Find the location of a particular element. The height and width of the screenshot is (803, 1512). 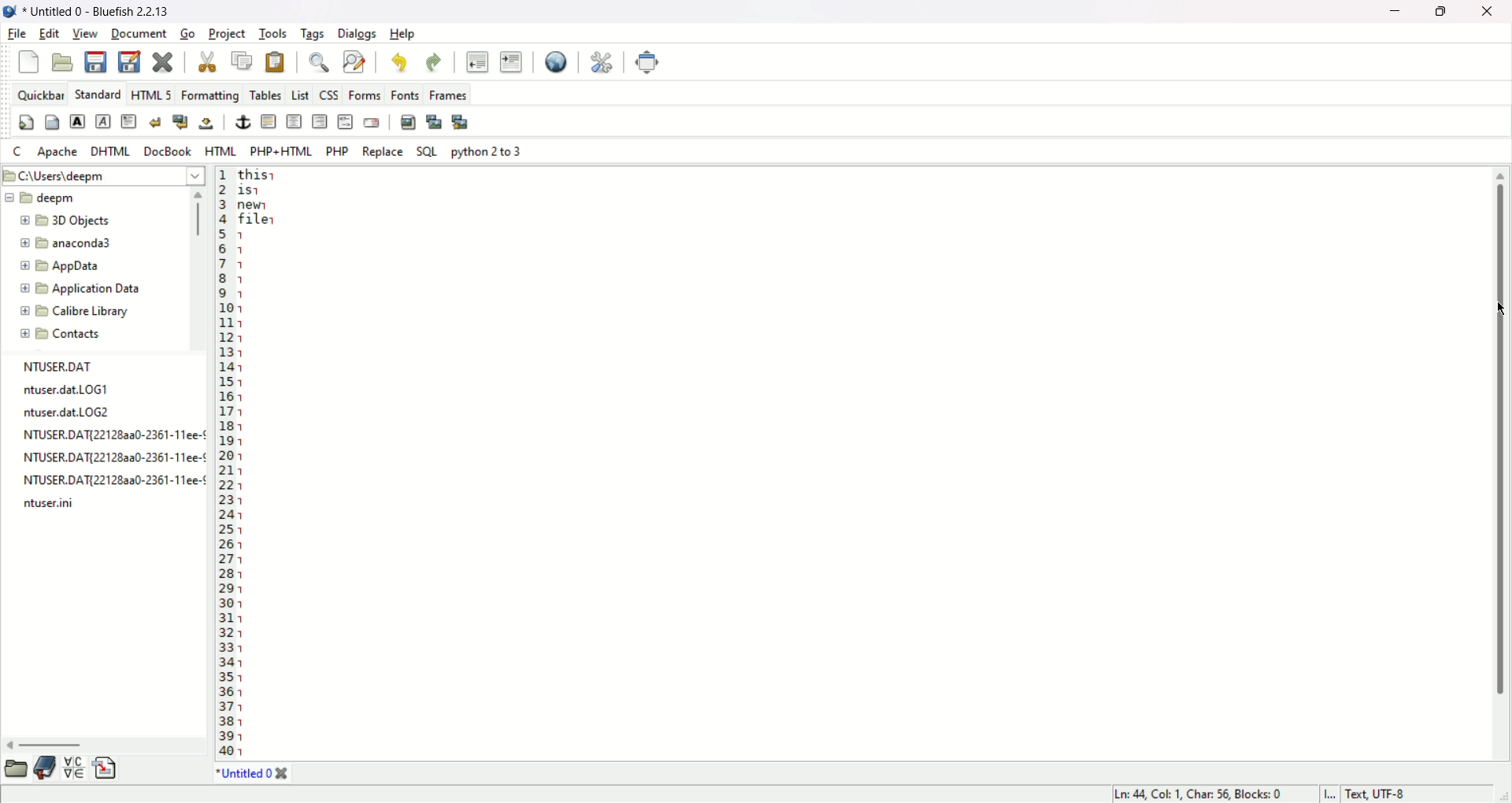

document is located at coordinates (139, 35).